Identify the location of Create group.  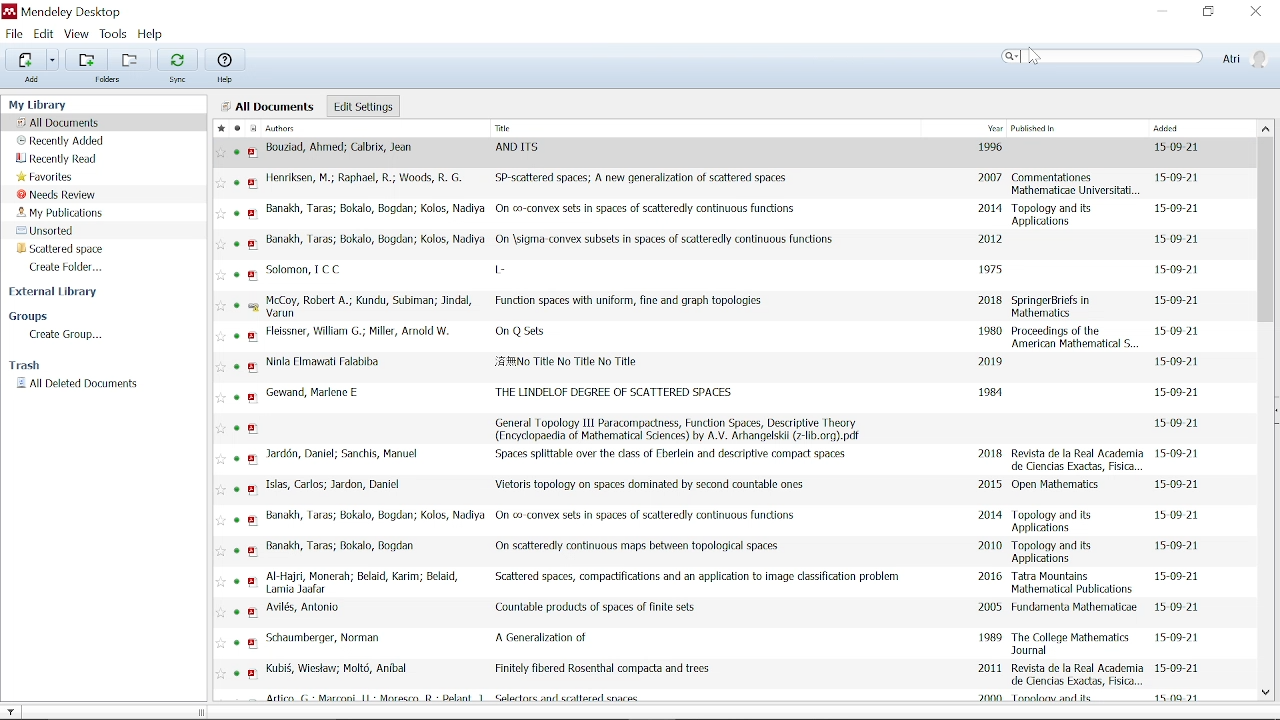
(68, 335).